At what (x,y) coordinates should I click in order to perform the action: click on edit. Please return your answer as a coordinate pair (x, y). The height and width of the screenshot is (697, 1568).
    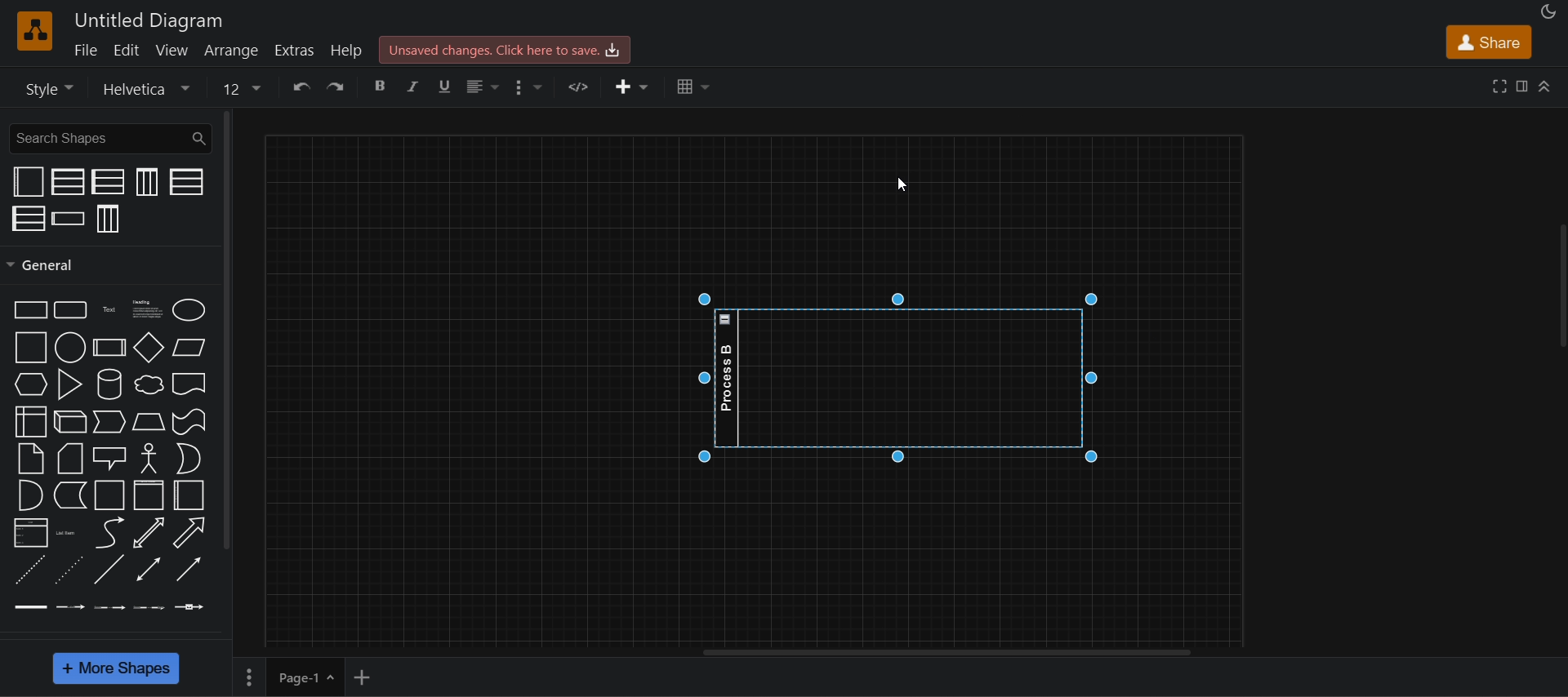
    Looking at the image, I should click on (125, 50).